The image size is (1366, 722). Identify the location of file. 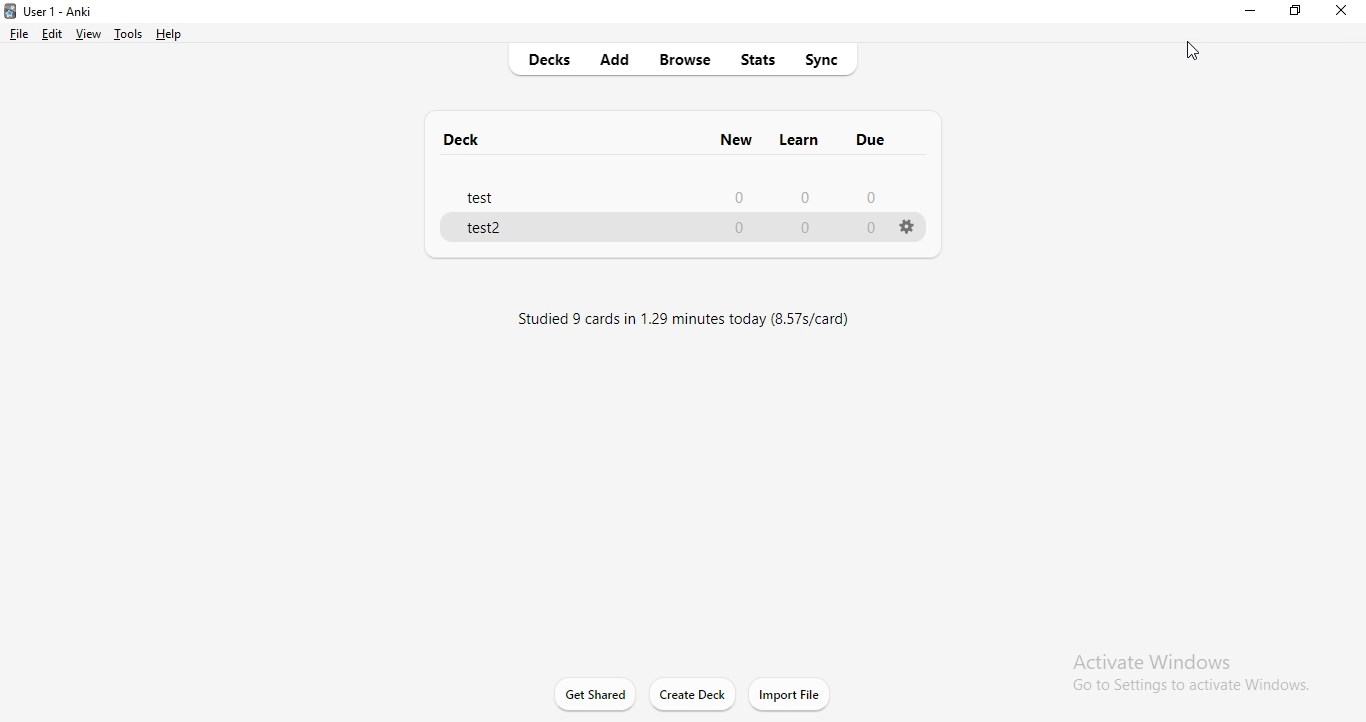
(21, 34).